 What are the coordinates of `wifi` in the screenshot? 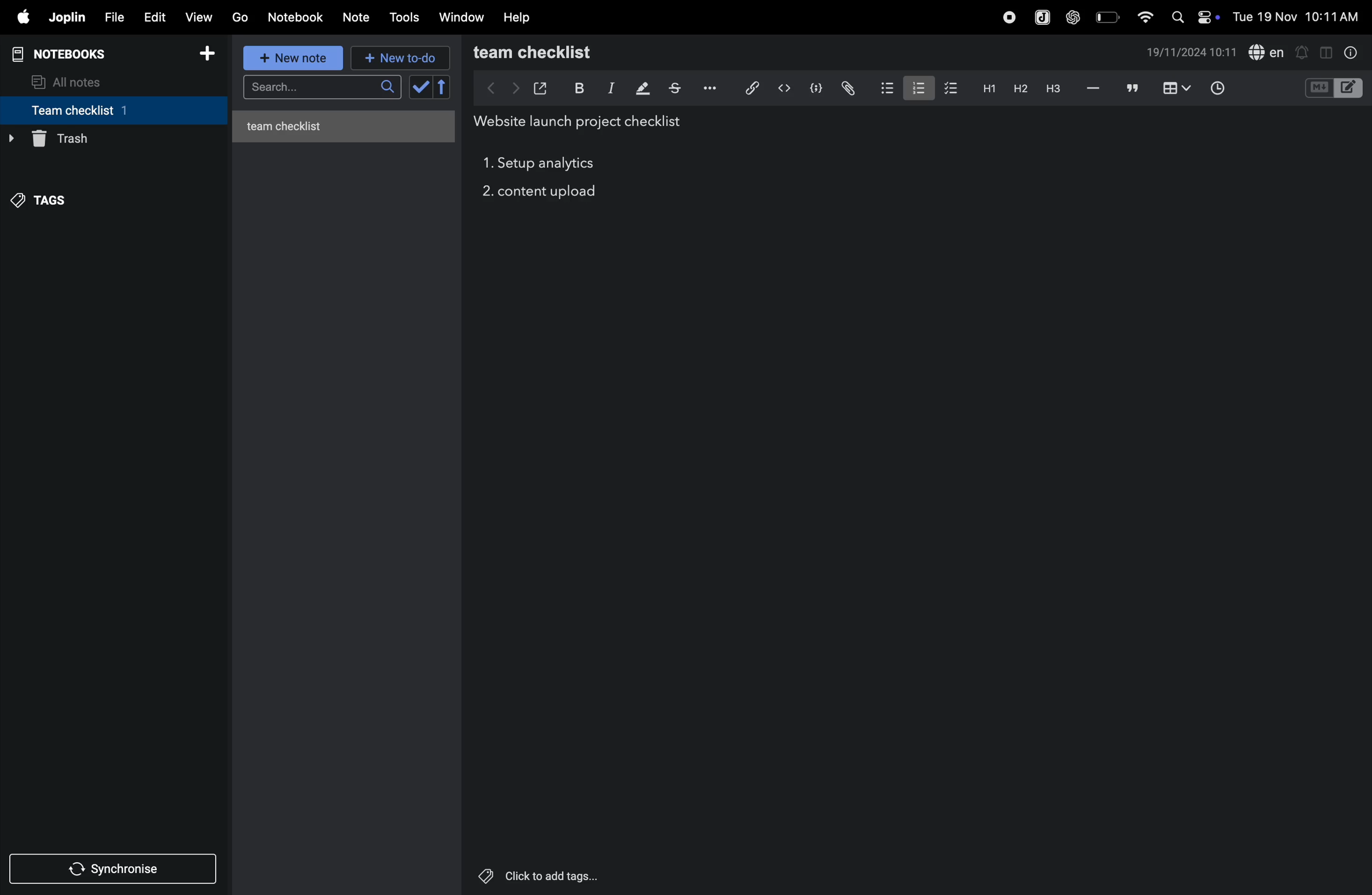 It's located at (1141, 16).